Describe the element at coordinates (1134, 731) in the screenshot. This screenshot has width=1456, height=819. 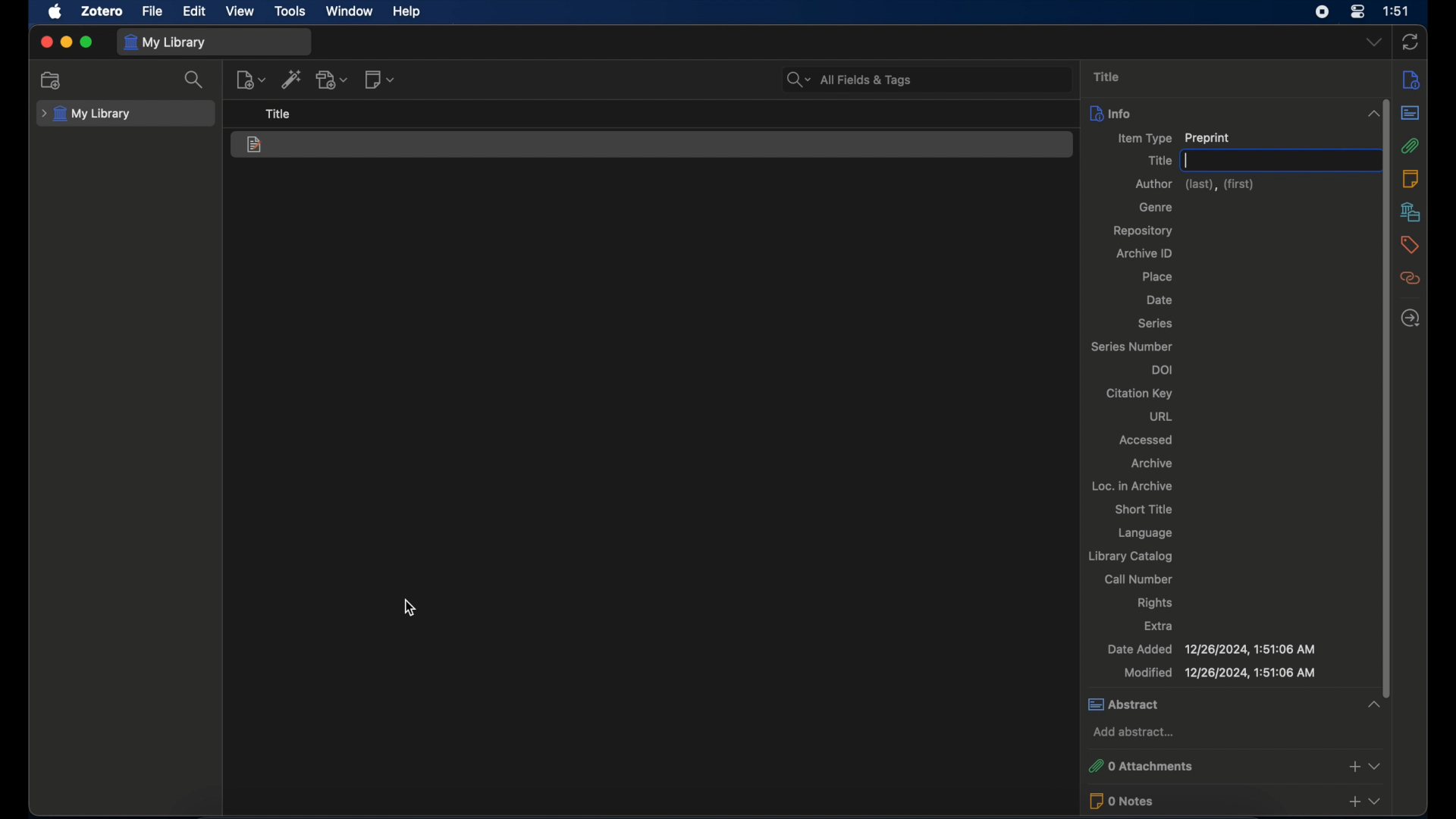
I see `add abstract` at that location.